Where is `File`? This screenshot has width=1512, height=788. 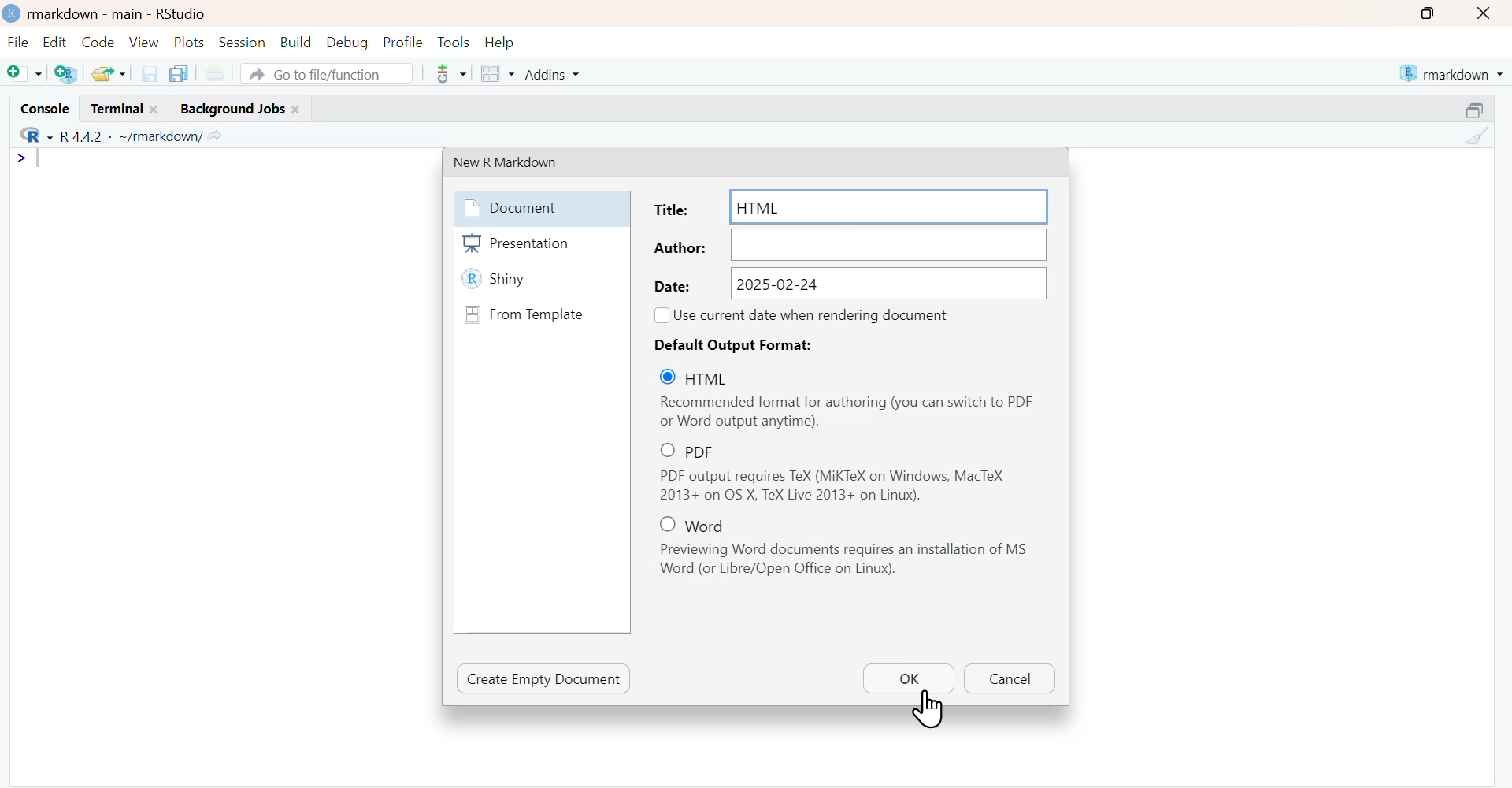 File is located at coordinates (19, 43).